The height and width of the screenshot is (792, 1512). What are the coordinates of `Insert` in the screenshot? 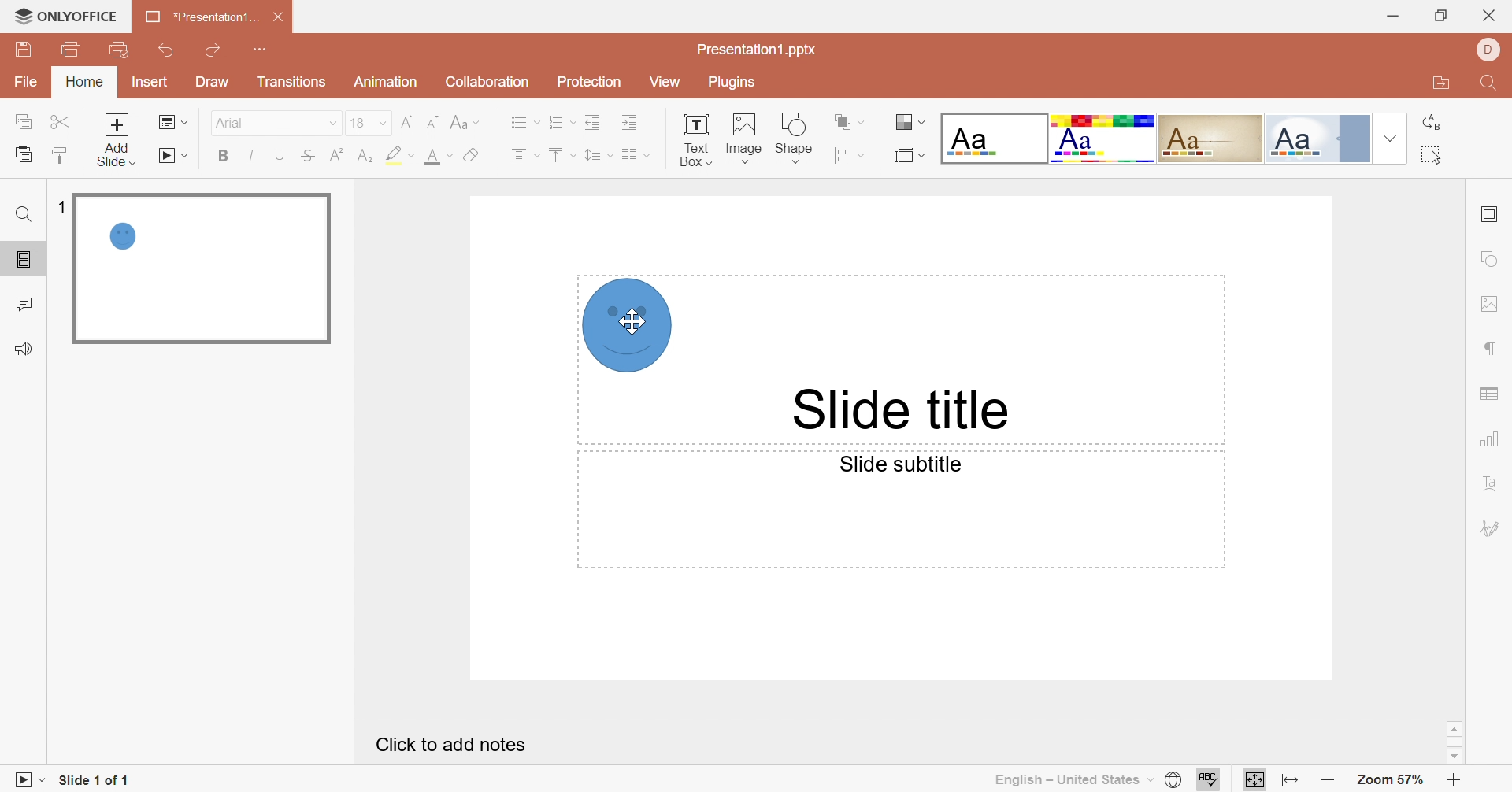 It's located at (150, 83).